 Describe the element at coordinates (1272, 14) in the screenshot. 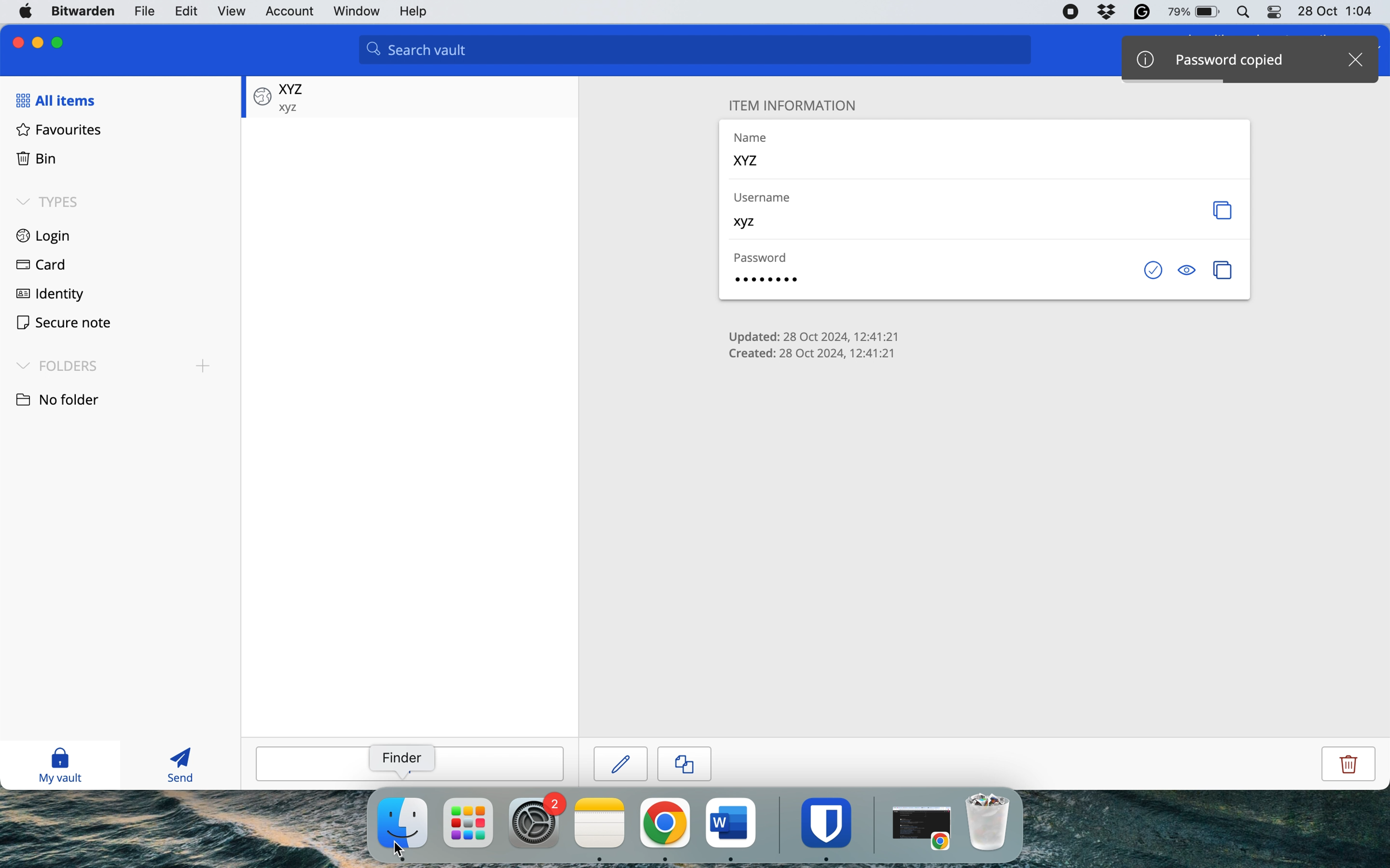

I see `control center` at that location.